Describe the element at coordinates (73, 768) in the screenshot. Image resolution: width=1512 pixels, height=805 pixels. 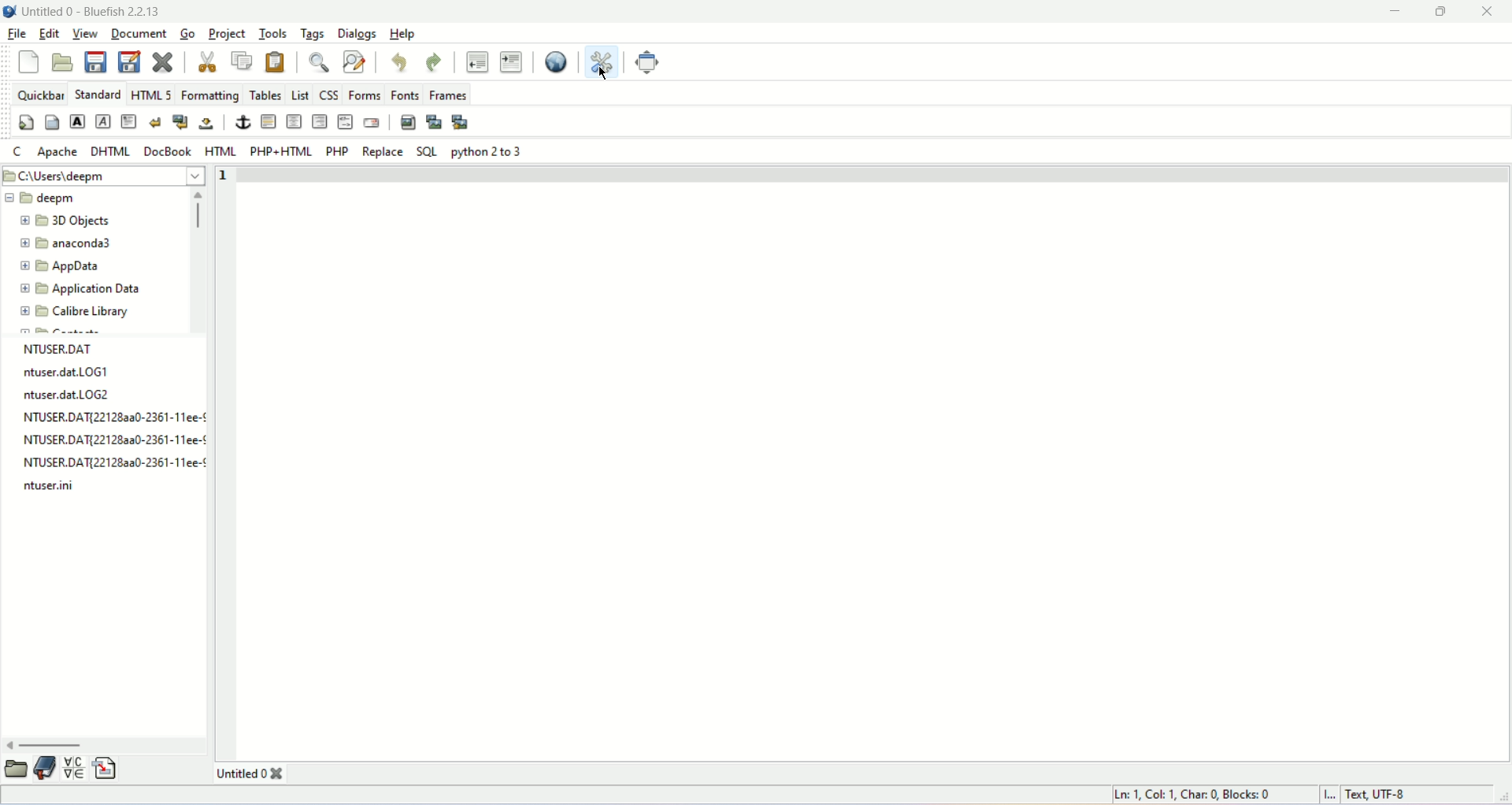
I see `charmap` at that location.